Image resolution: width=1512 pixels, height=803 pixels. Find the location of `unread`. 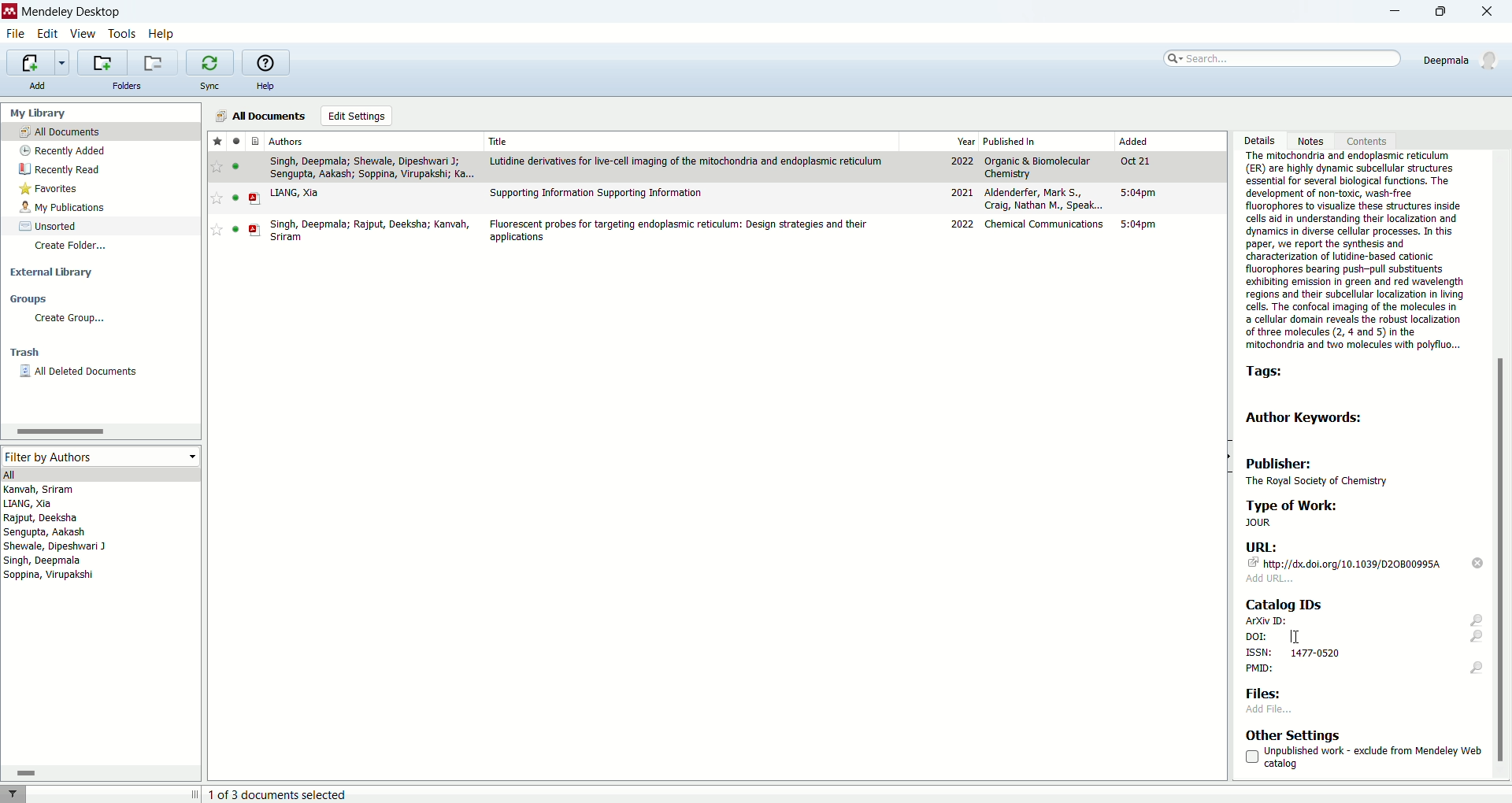

unread is located at coordinates (235, 198).